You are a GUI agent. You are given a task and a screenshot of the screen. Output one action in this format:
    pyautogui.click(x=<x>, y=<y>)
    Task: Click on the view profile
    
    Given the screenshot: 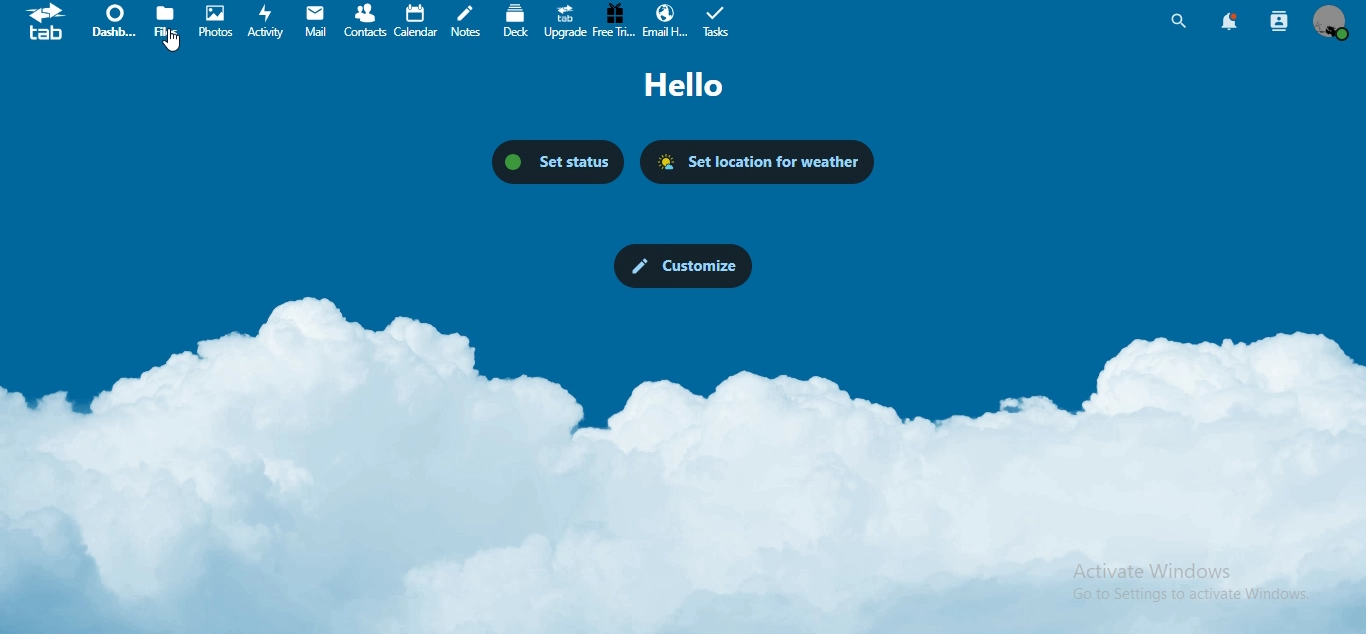 What is the action you would take?
    pyautogui.click(x=1330, y=23)
    